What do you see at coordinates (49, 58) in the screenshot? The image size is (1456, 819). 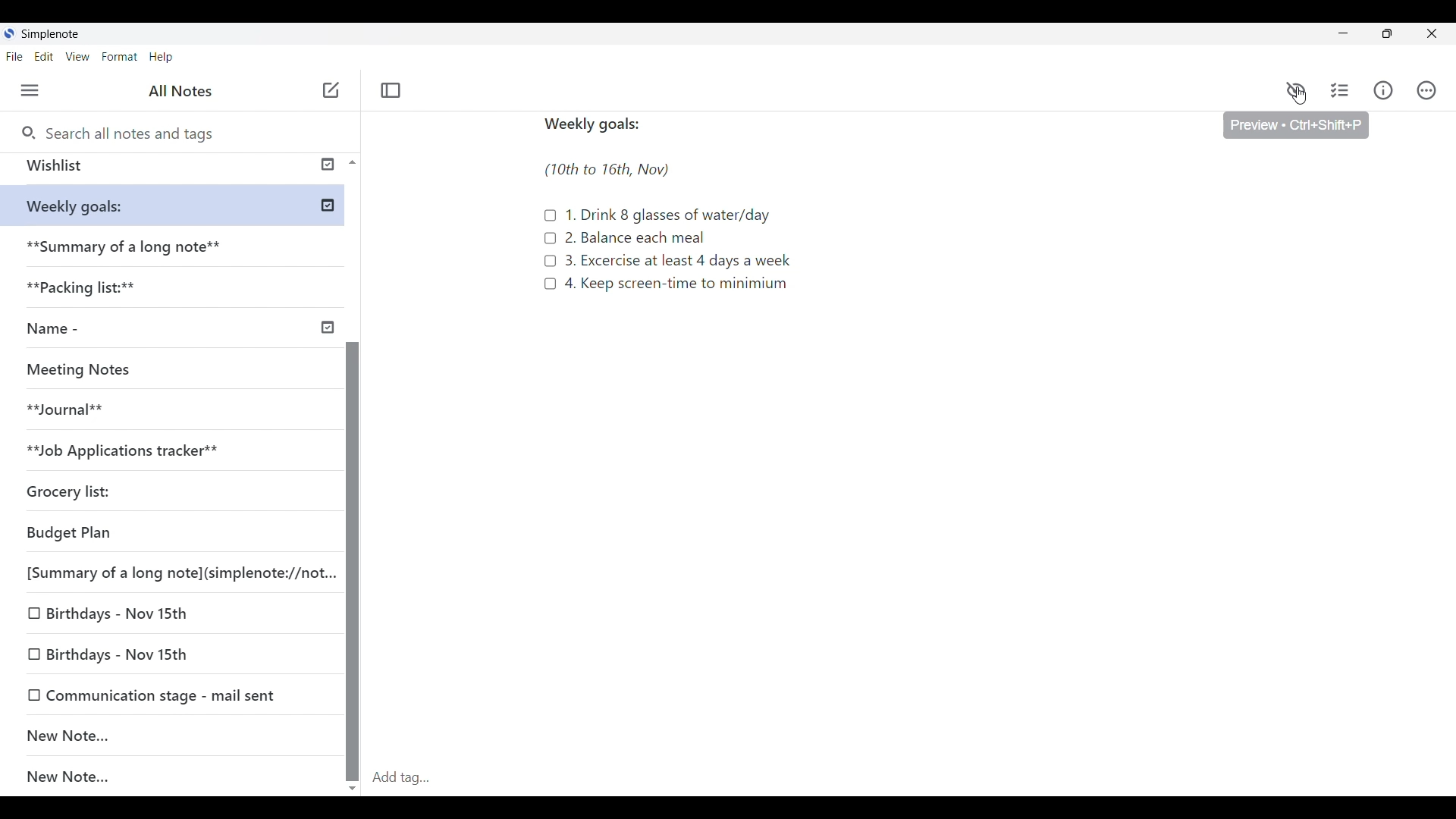 I see `Edit` at bounding box center [49, 58].